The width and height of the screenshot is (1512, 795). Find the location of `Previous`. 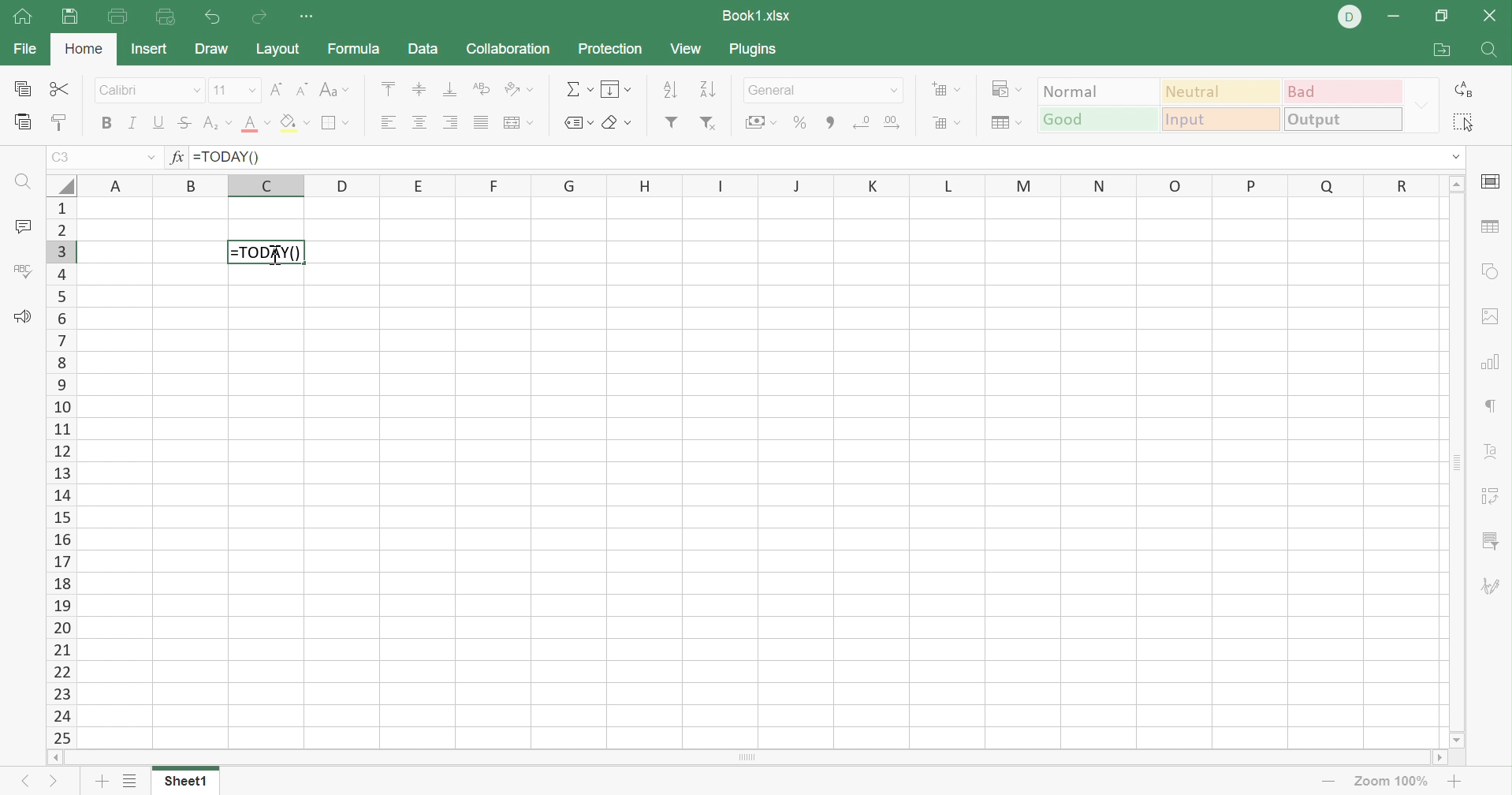

Previous is located at coordinates (18, 783).